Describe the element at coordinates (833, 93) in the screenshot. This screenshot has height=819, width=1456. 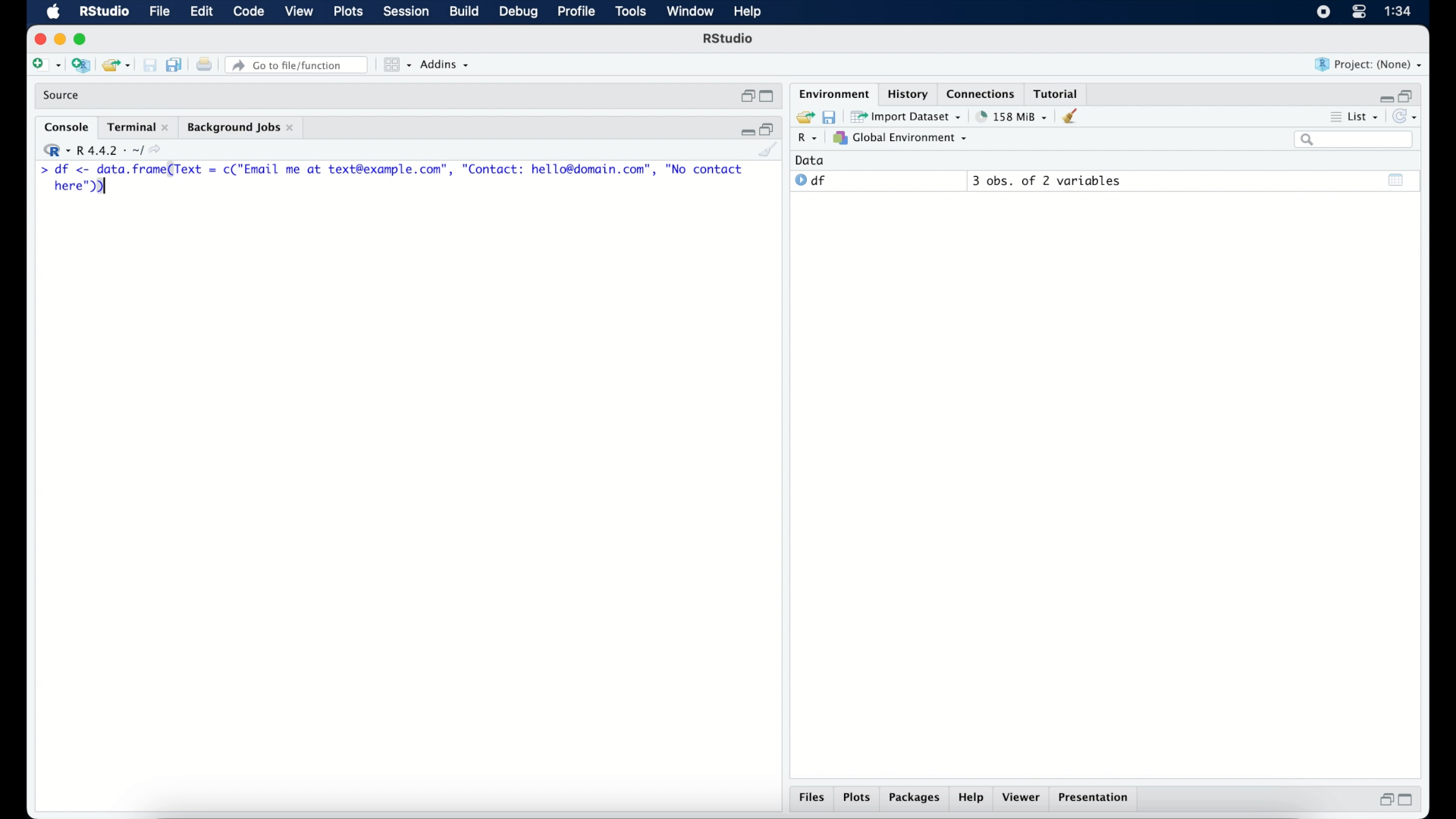
I see `environment` at that location.